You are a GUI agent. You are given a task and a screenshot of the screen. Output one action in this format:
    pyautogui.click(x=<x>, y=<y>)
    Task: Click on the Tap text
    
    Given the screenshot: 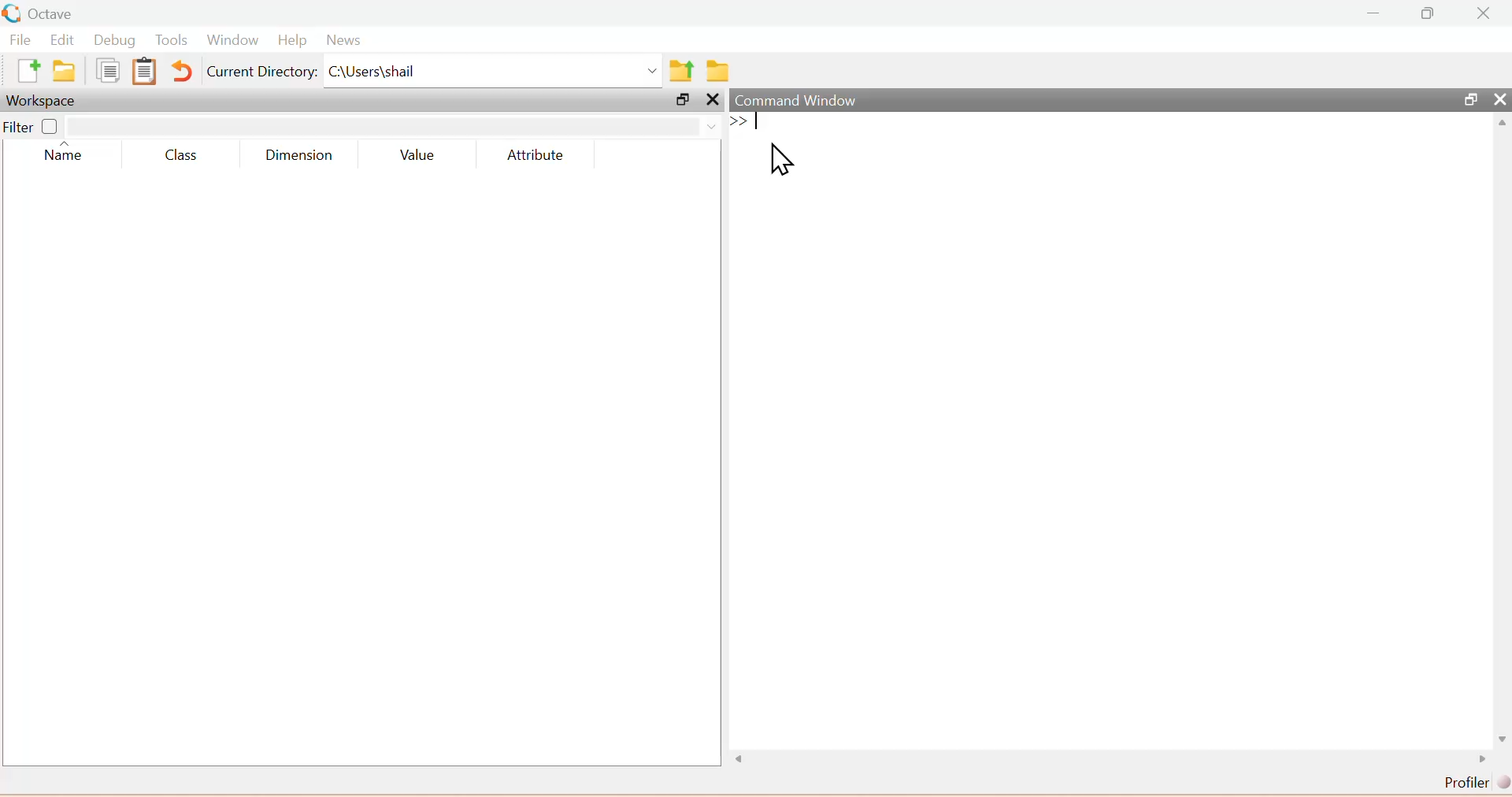 What is the action you would take?
    pyautogui.click(x=761, y=122)
    